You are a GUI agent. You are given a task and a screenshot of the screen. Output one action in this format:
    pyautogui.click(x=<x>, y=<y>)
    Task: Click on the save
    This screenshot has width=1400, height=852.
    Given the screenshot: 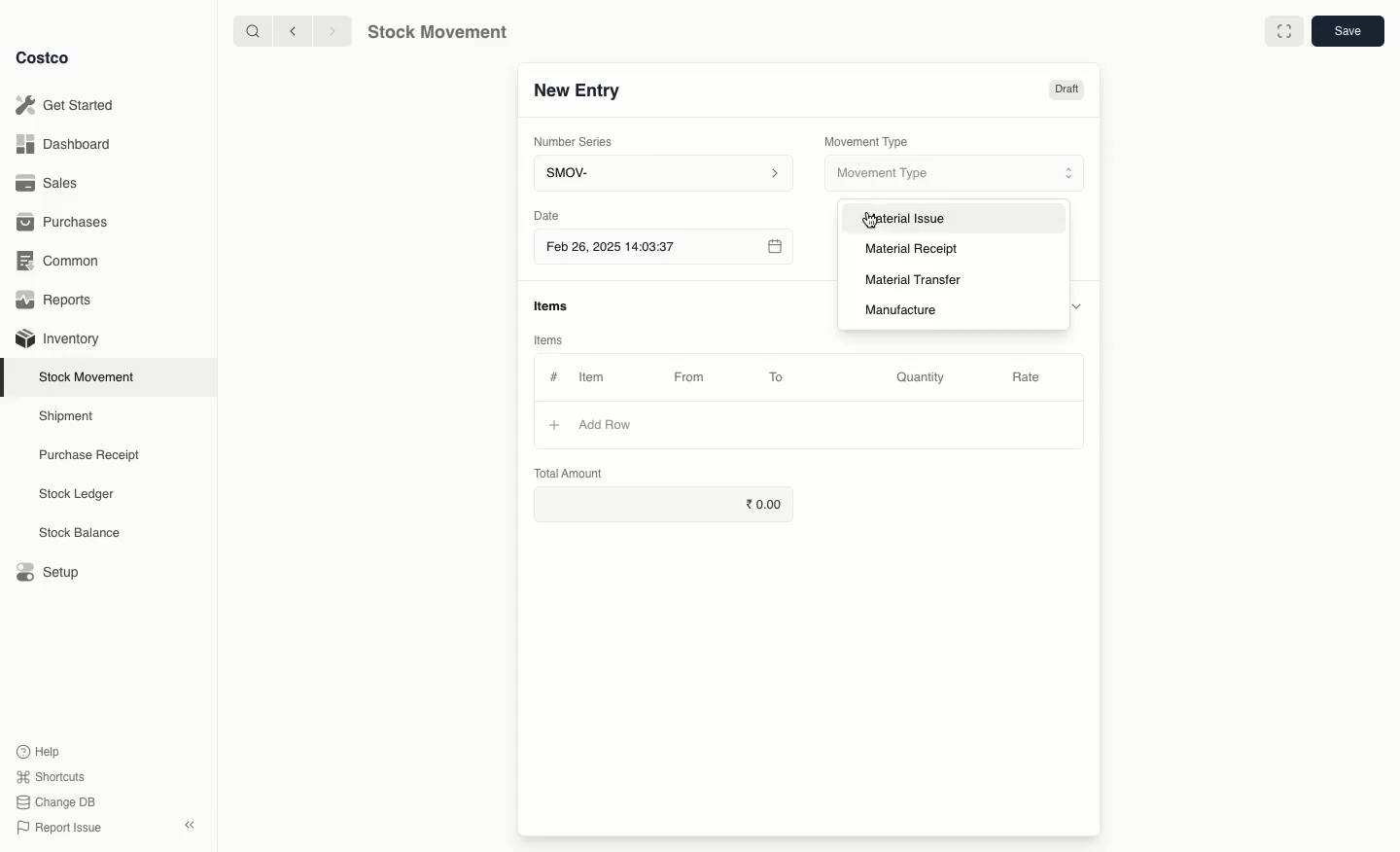 What is the action you would take?
    pyautogui.click(x=1347, y=30)
    